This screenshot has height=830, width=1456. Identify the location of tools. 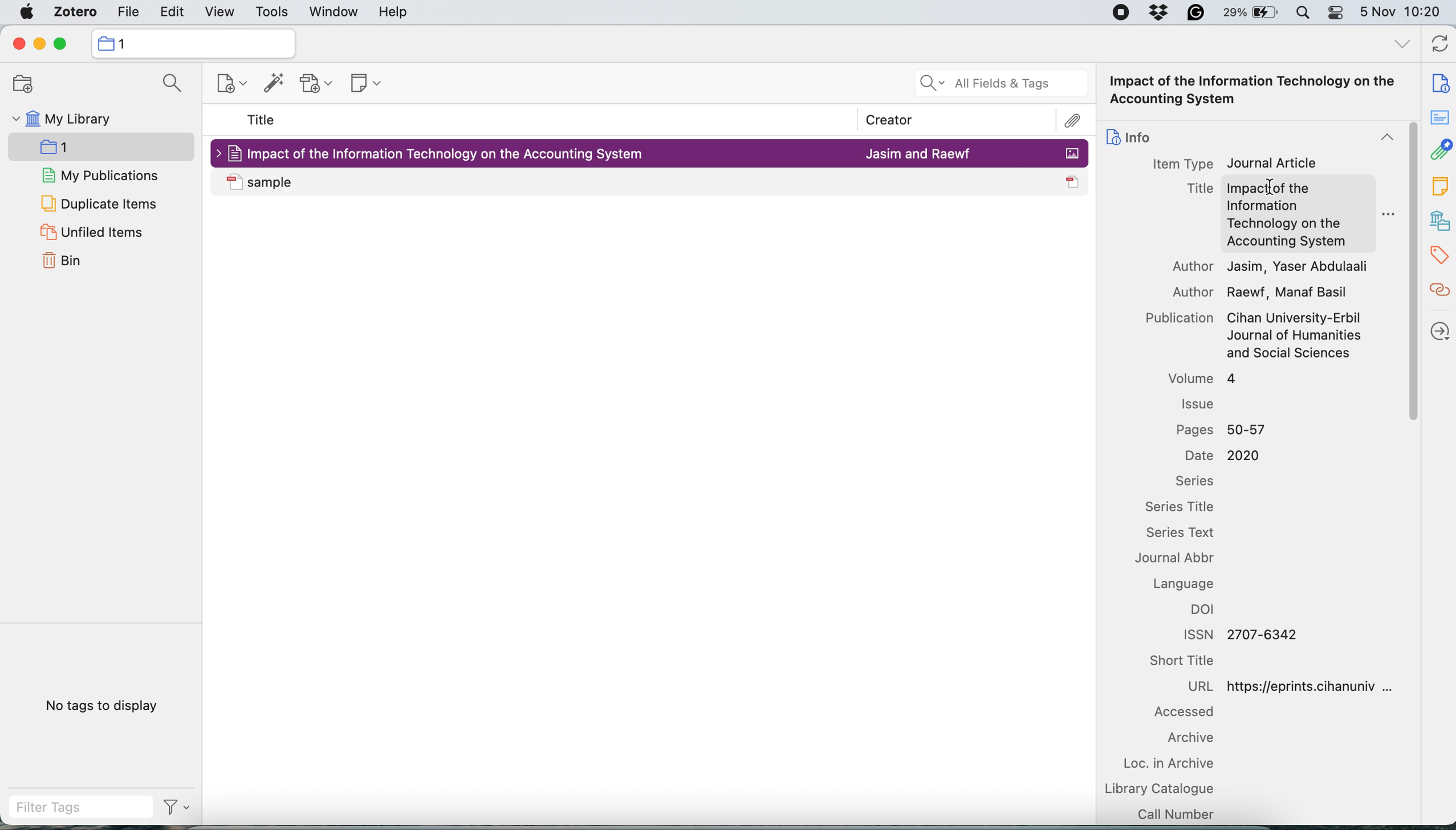
(274, 12).